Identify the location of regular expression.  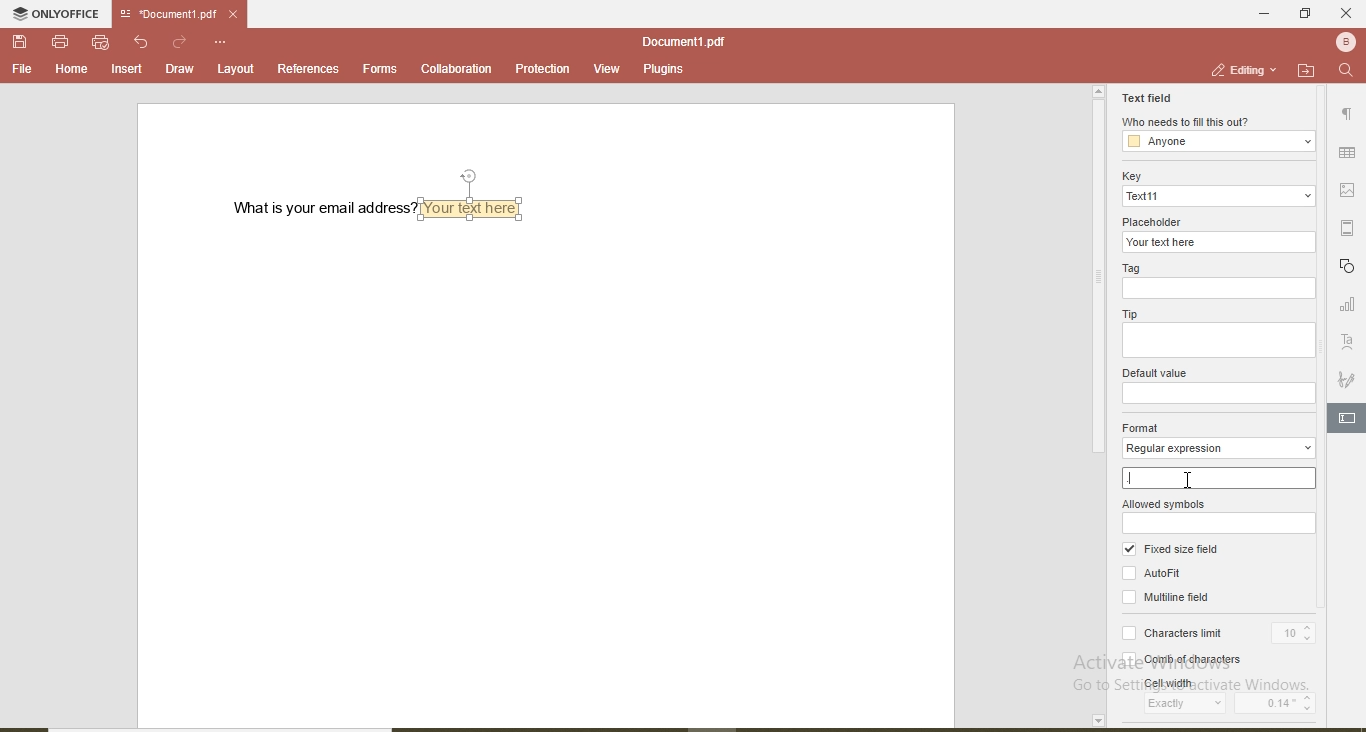
(1219, 449).